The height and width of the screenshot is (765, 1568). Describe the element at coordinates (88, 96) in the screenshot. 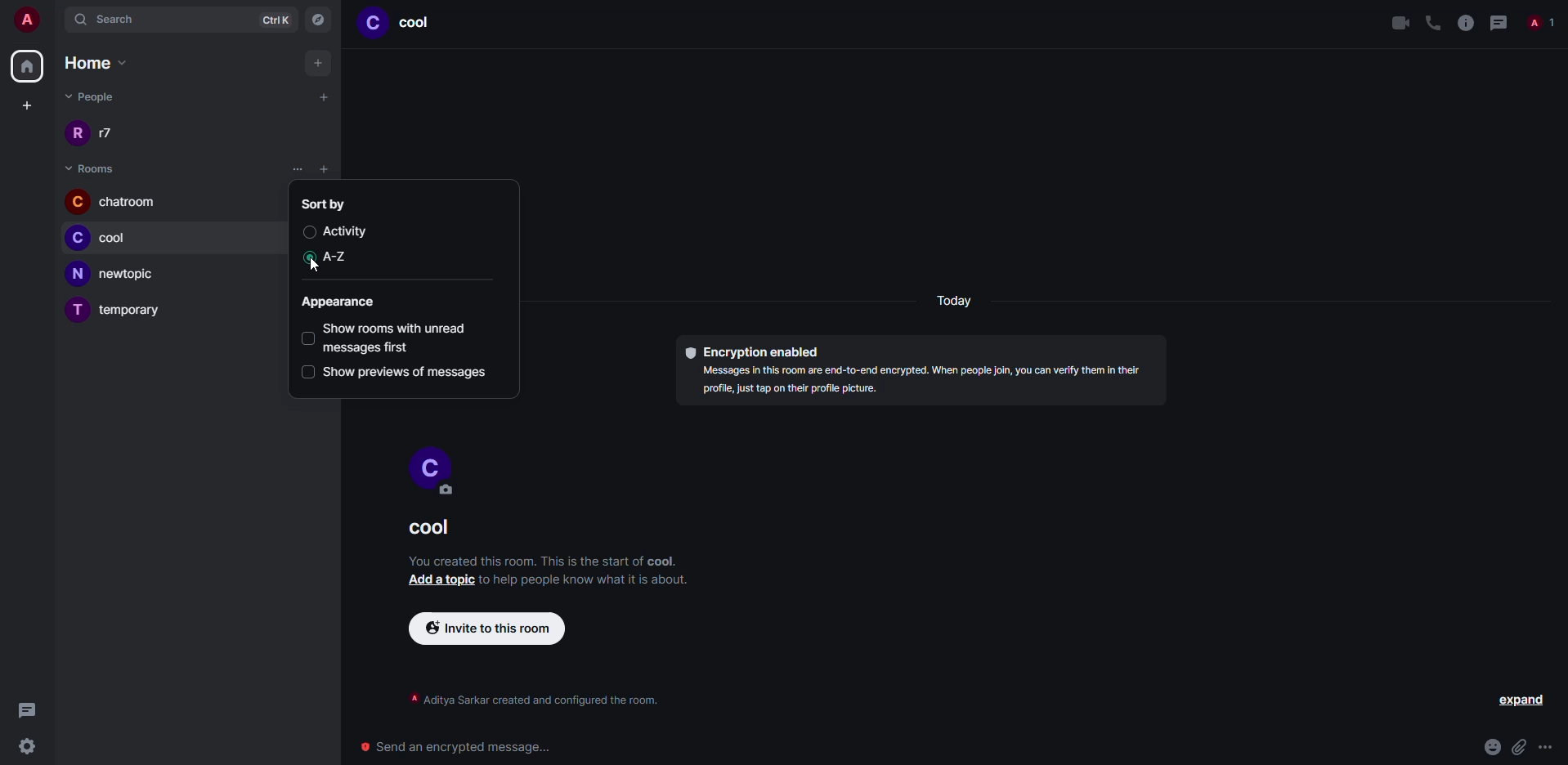

I see `people` at that location.